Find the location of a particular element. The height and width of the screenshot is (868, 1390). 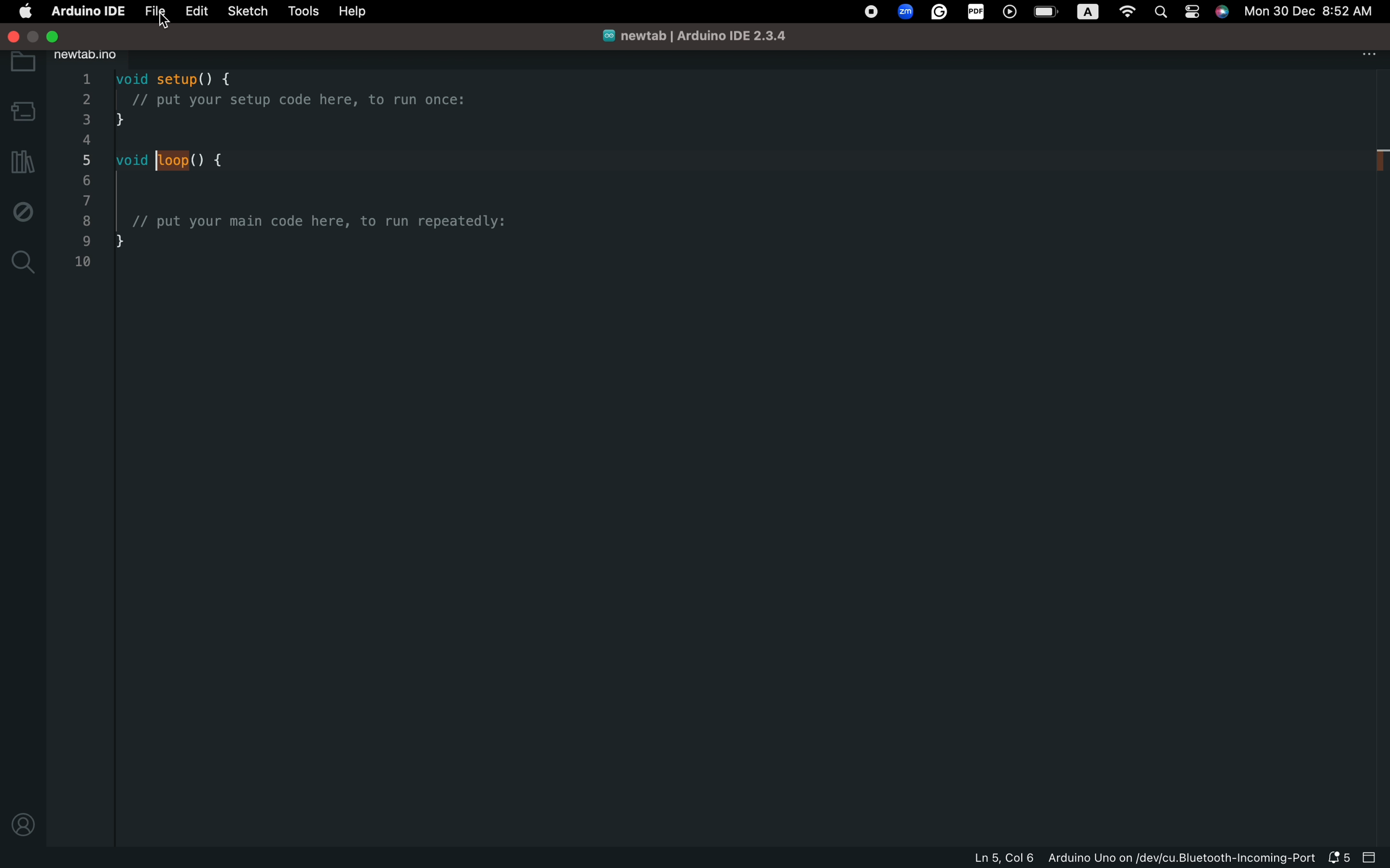

cursor is located at coordinates (163, 21).